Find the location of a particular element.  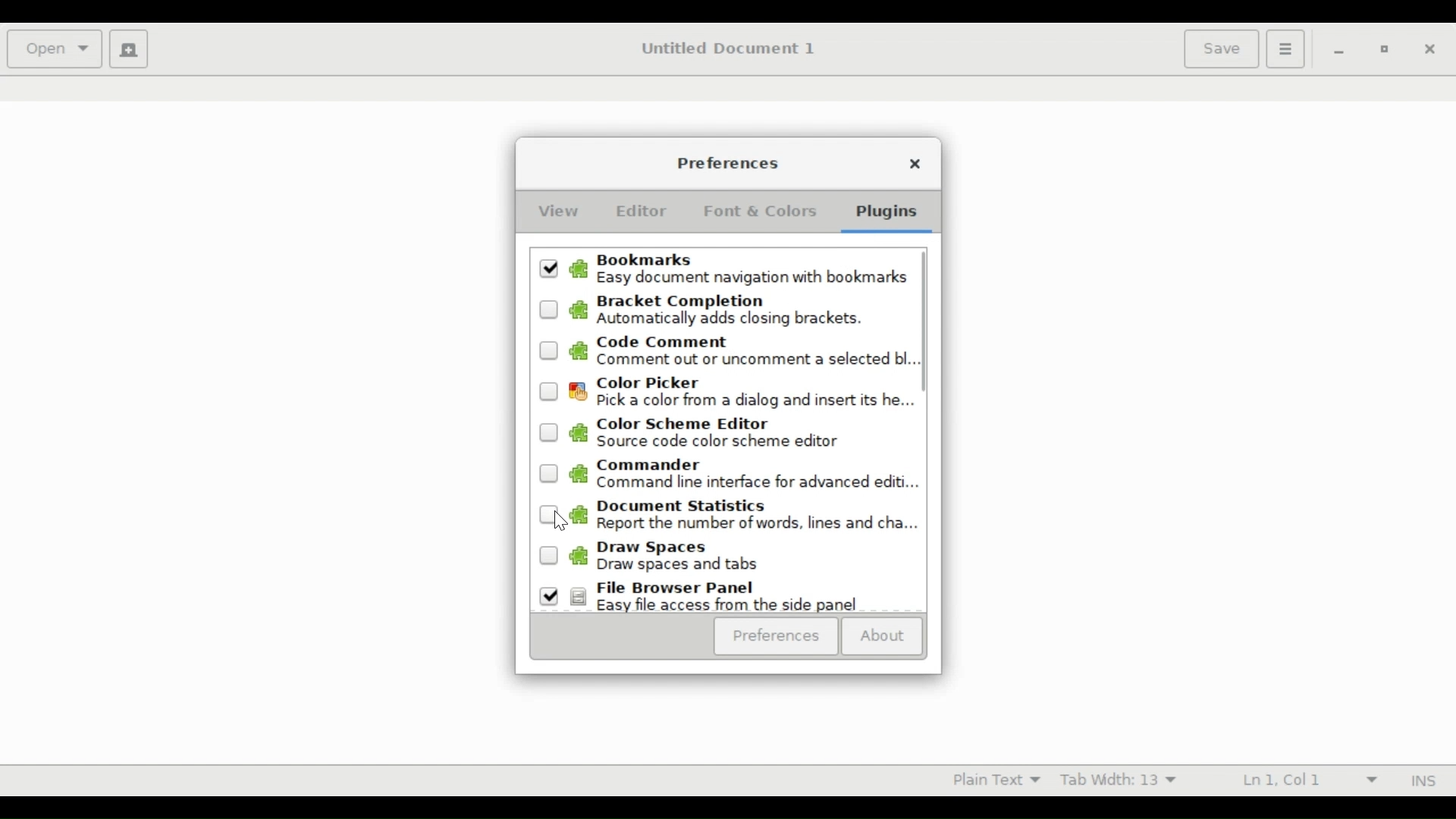

Plain Text is located at coordinates (990, 779).